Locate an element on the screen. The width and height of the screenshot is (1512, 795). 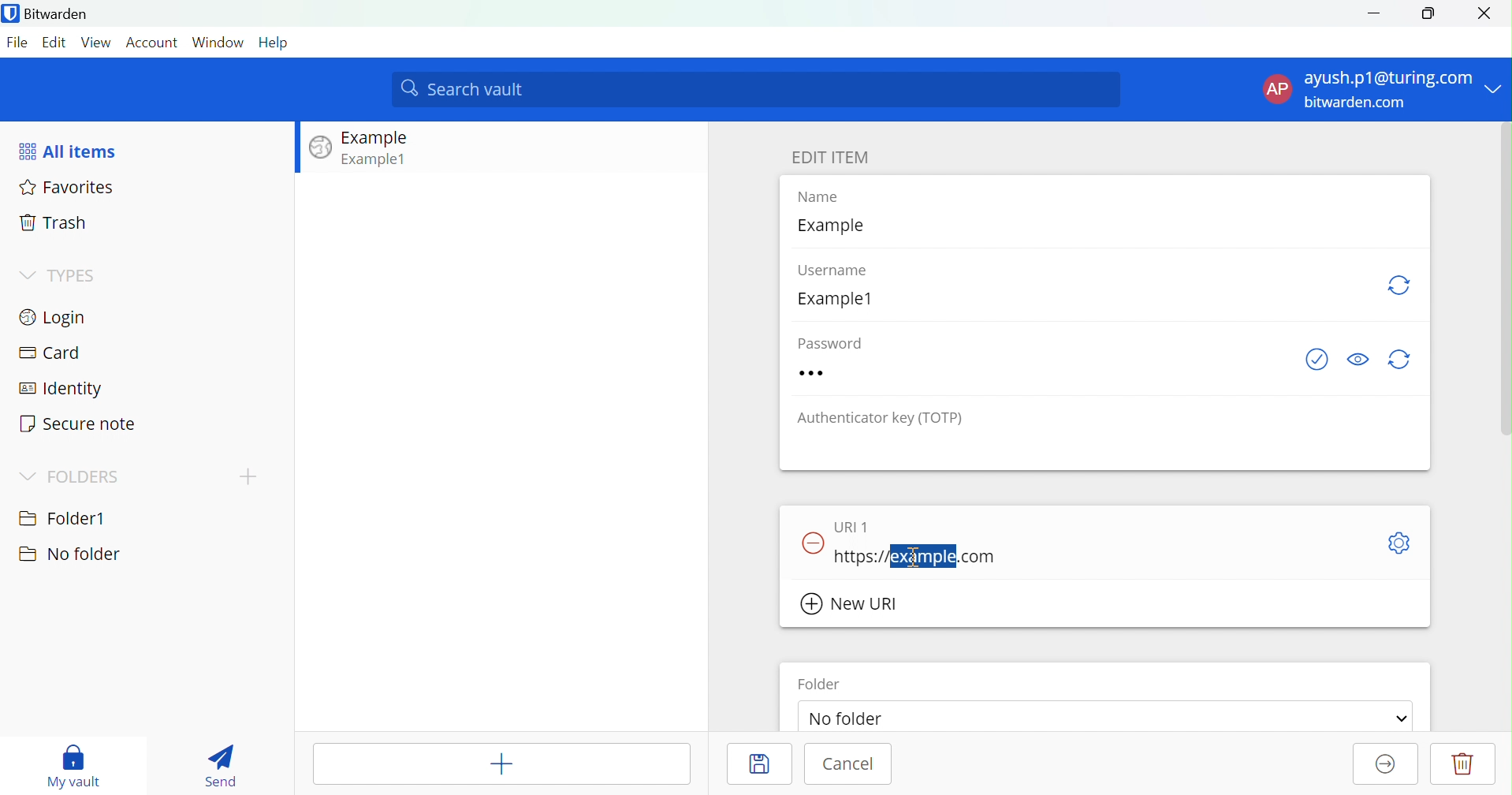
Help is located at coordinates (275, 42).